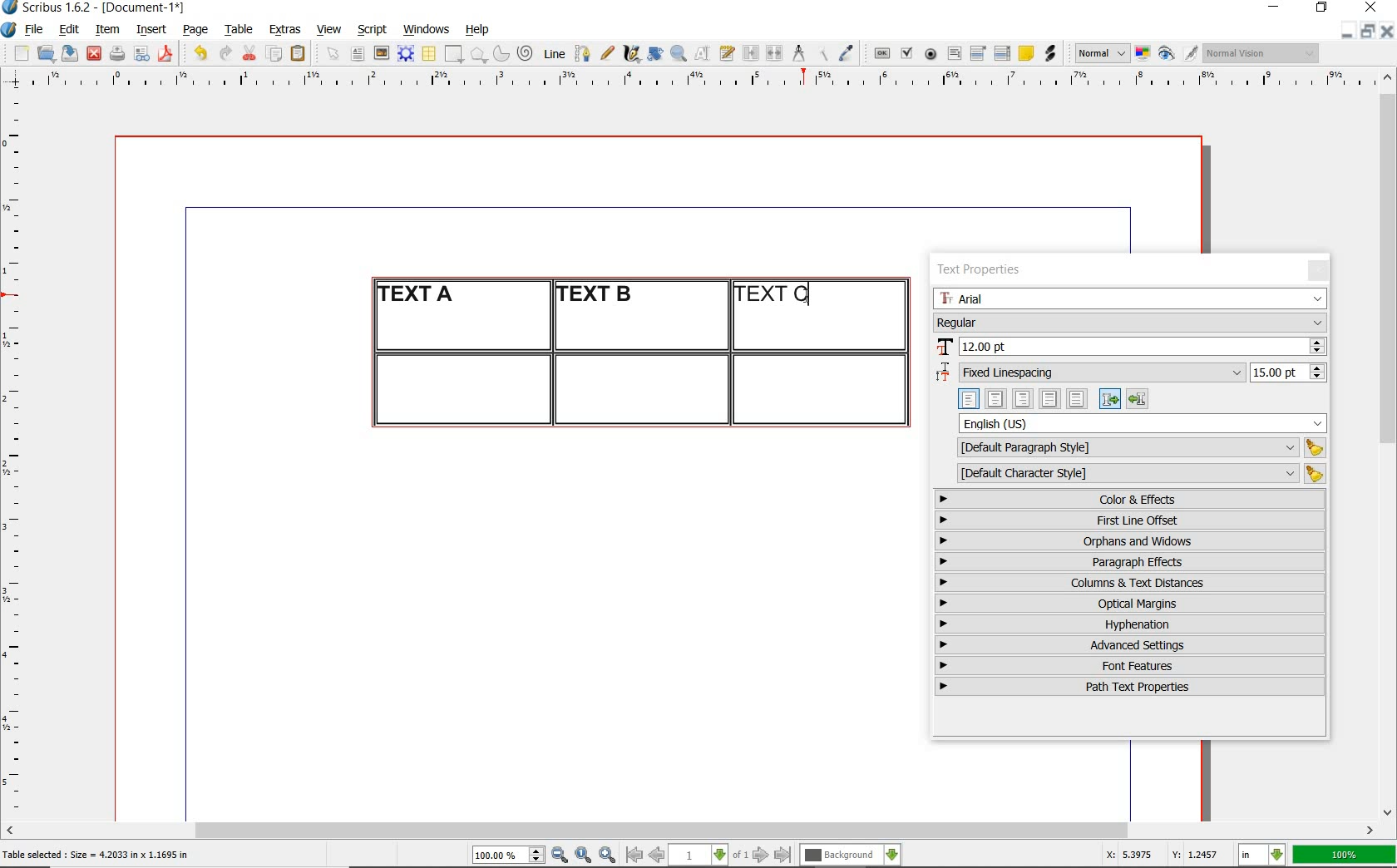 This screenshot has height=868, width=1397. I want to click on copy item properties, so click(822, 53).